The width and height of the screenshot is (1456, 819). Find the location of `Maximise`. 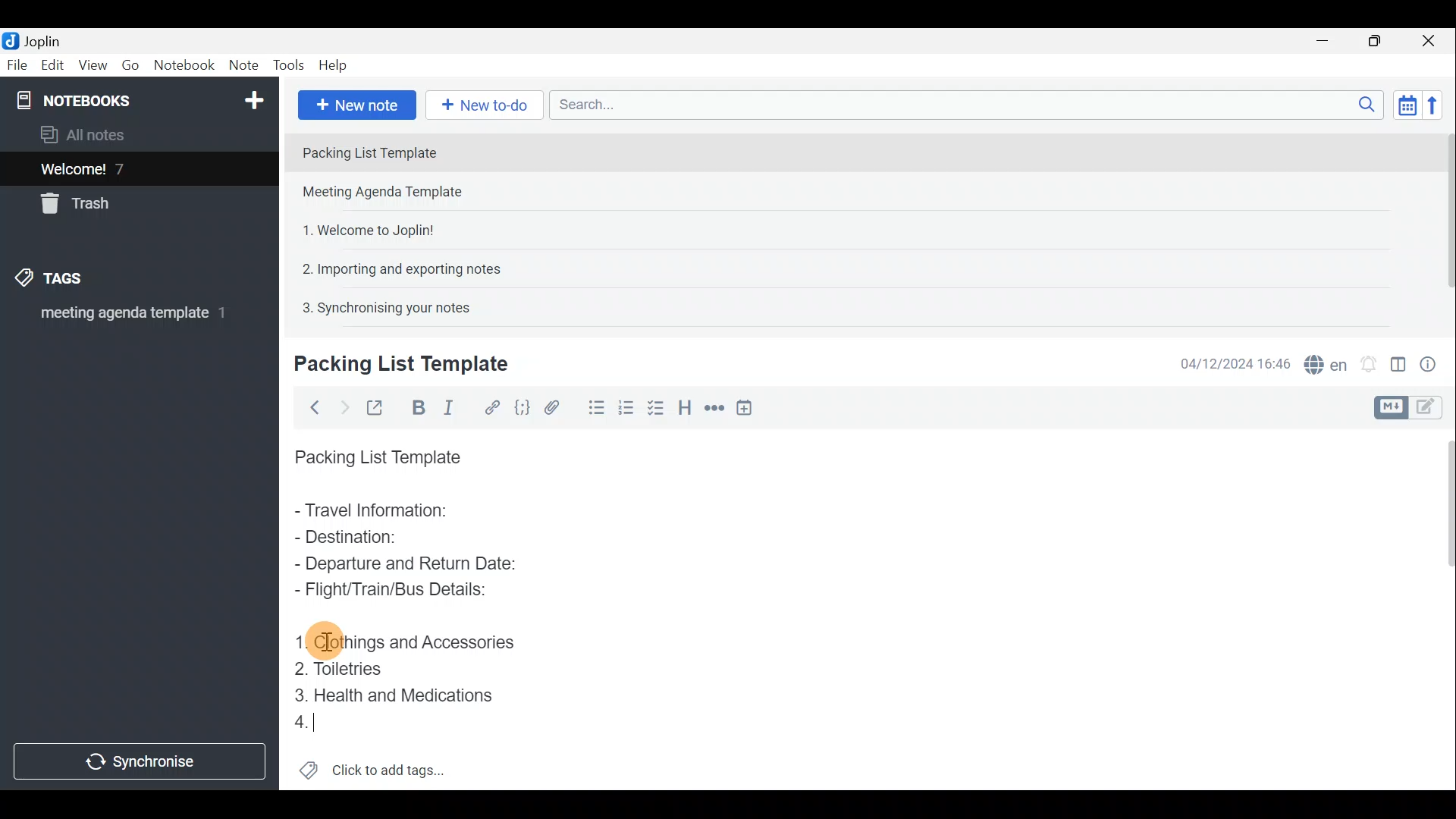

Maximise is located at coordinates (1380, 41).